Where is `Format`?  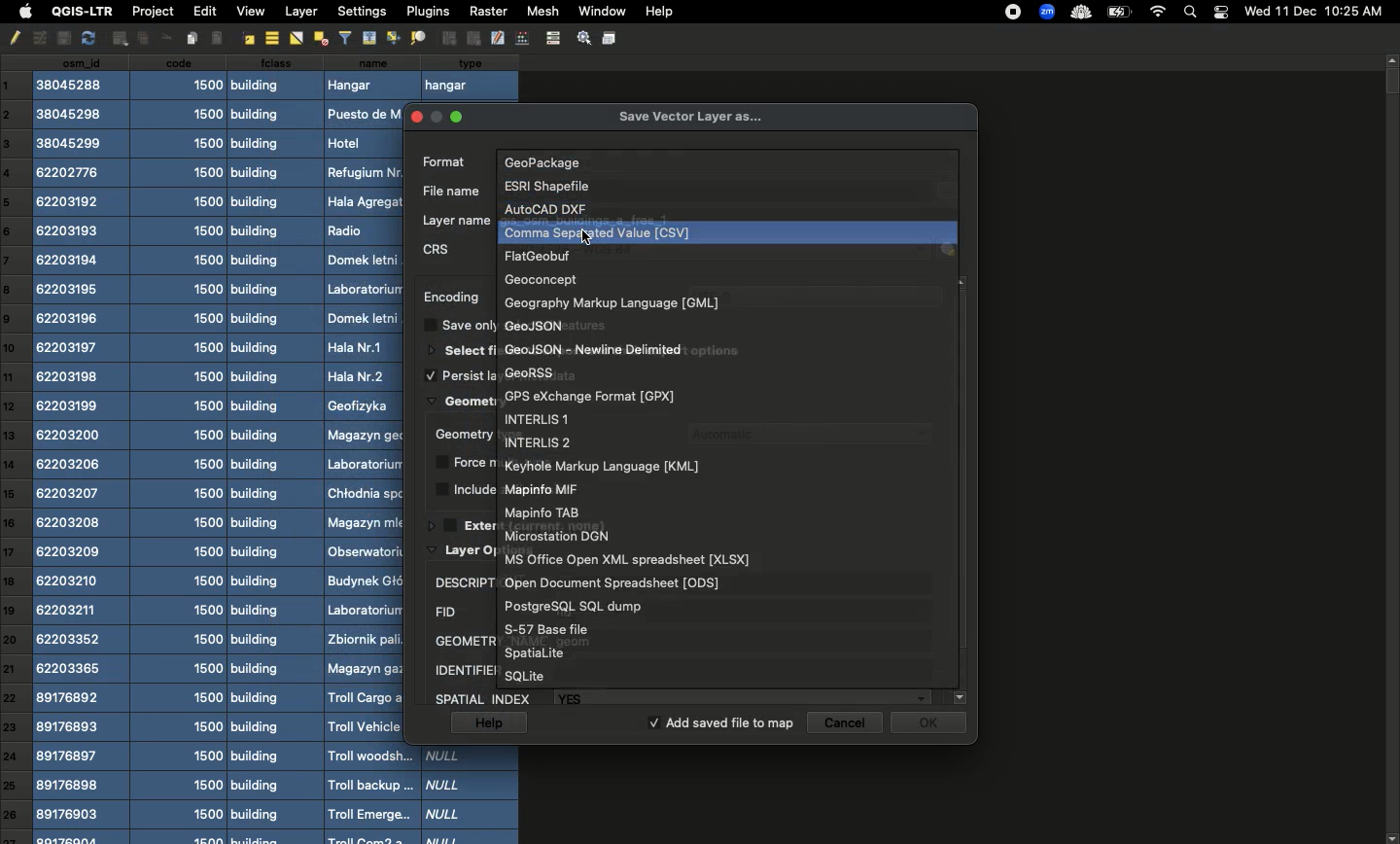
Format is located at coordinates (601, 467).